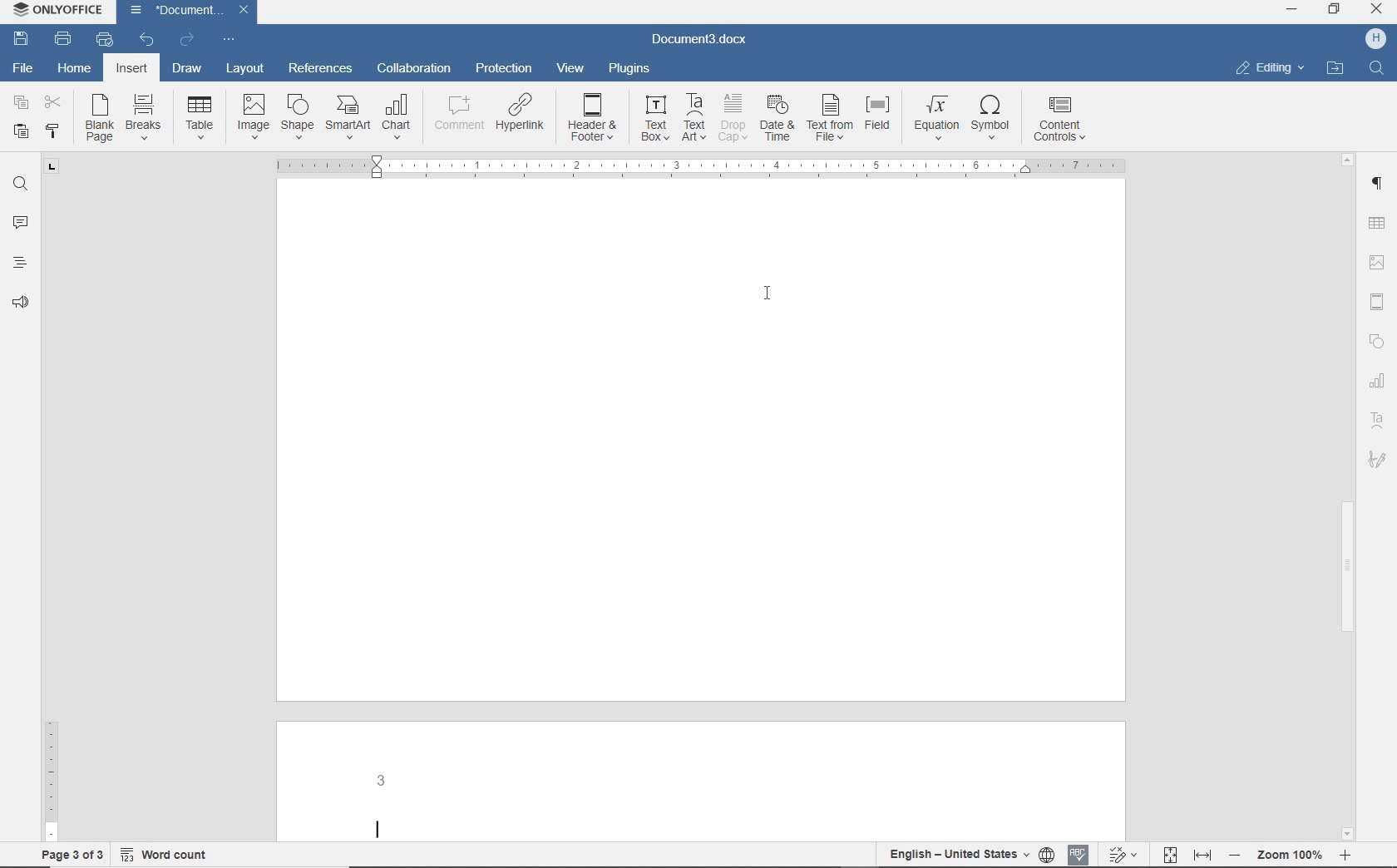 This screenshot has width=1397, height=868. I want to click on FILE, so click(25, 70).